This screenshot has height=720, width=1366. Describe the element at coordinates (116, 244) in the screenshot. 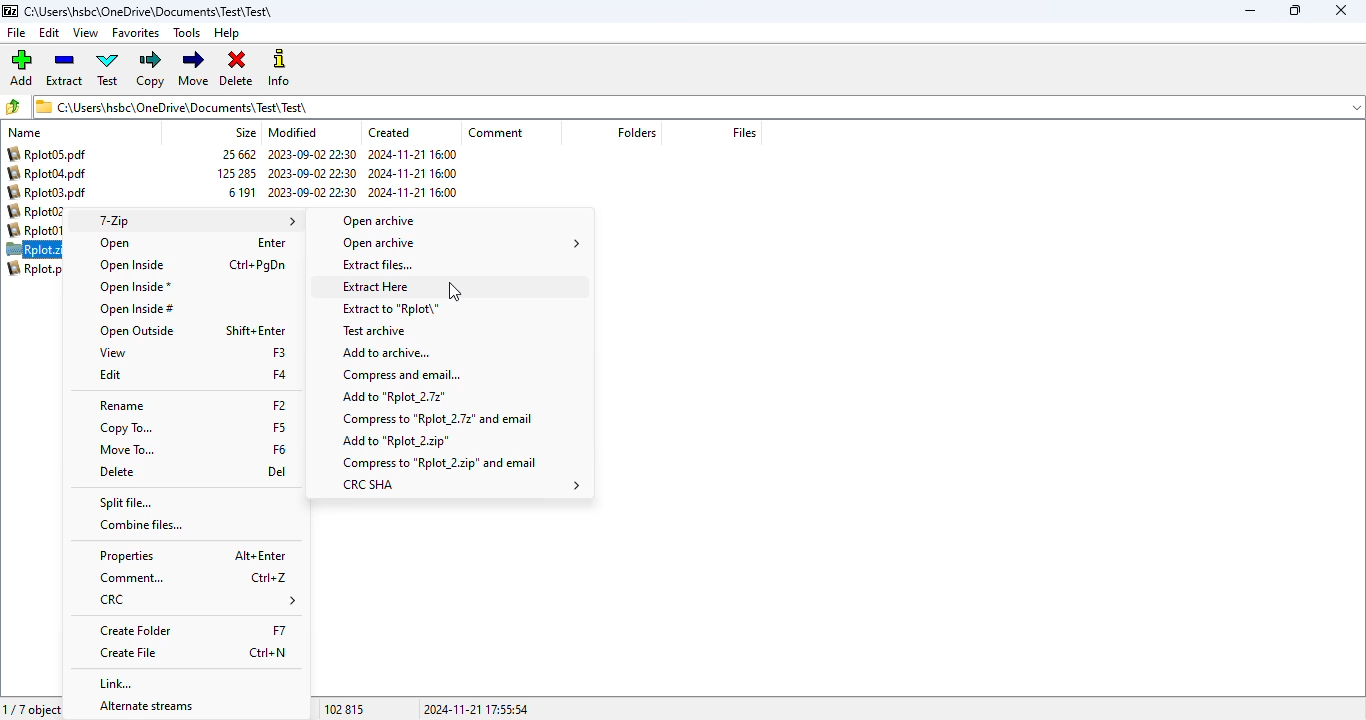

I see `open` at that location.